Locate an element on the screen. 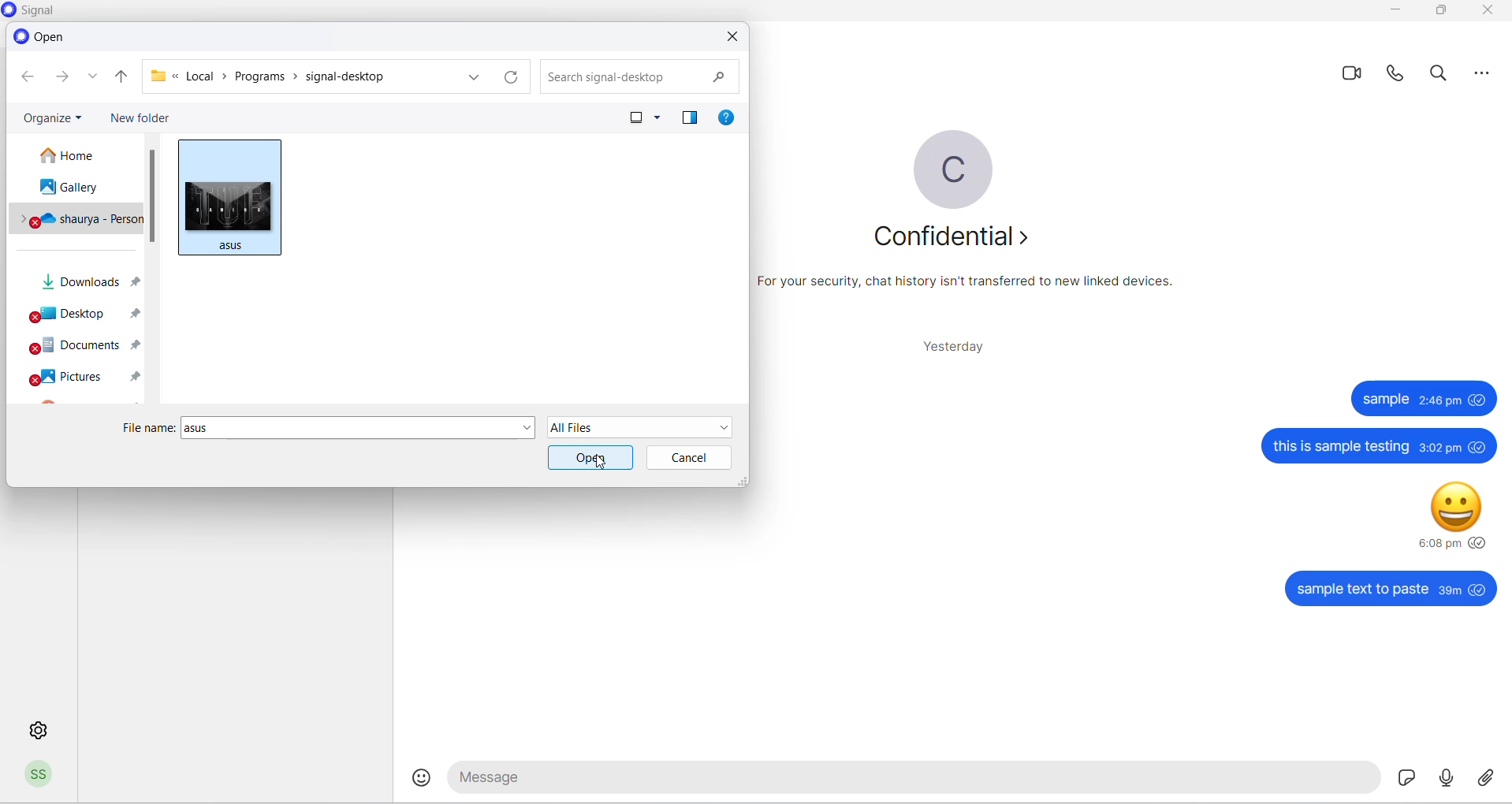 This screenshot has height=804, width=1512. sample is located at coordinates (1386, 399).